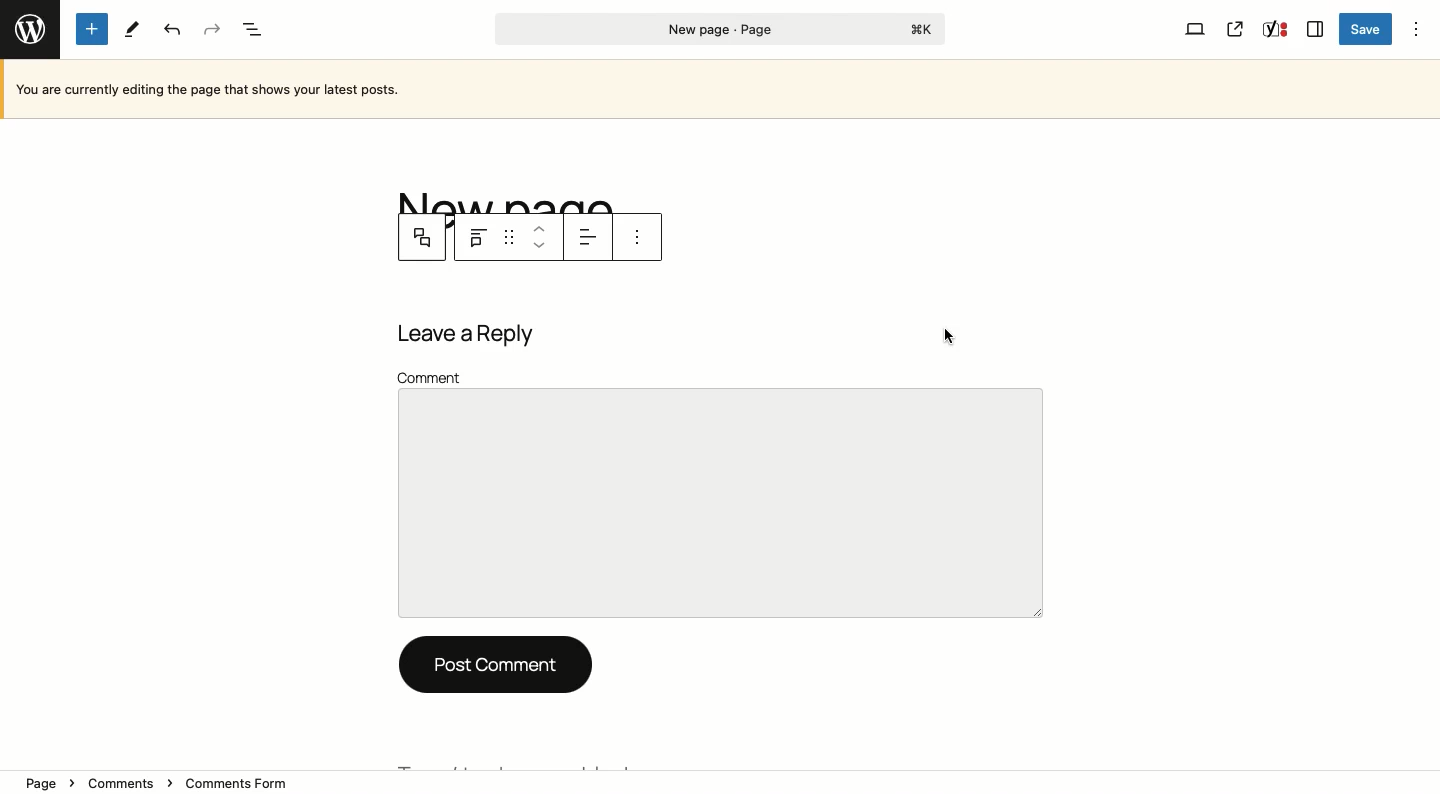 This screenshot has width=1440, height=794. Describe the element at coordinates (950, 339) in the screenshot. I see `cursor` at that location.